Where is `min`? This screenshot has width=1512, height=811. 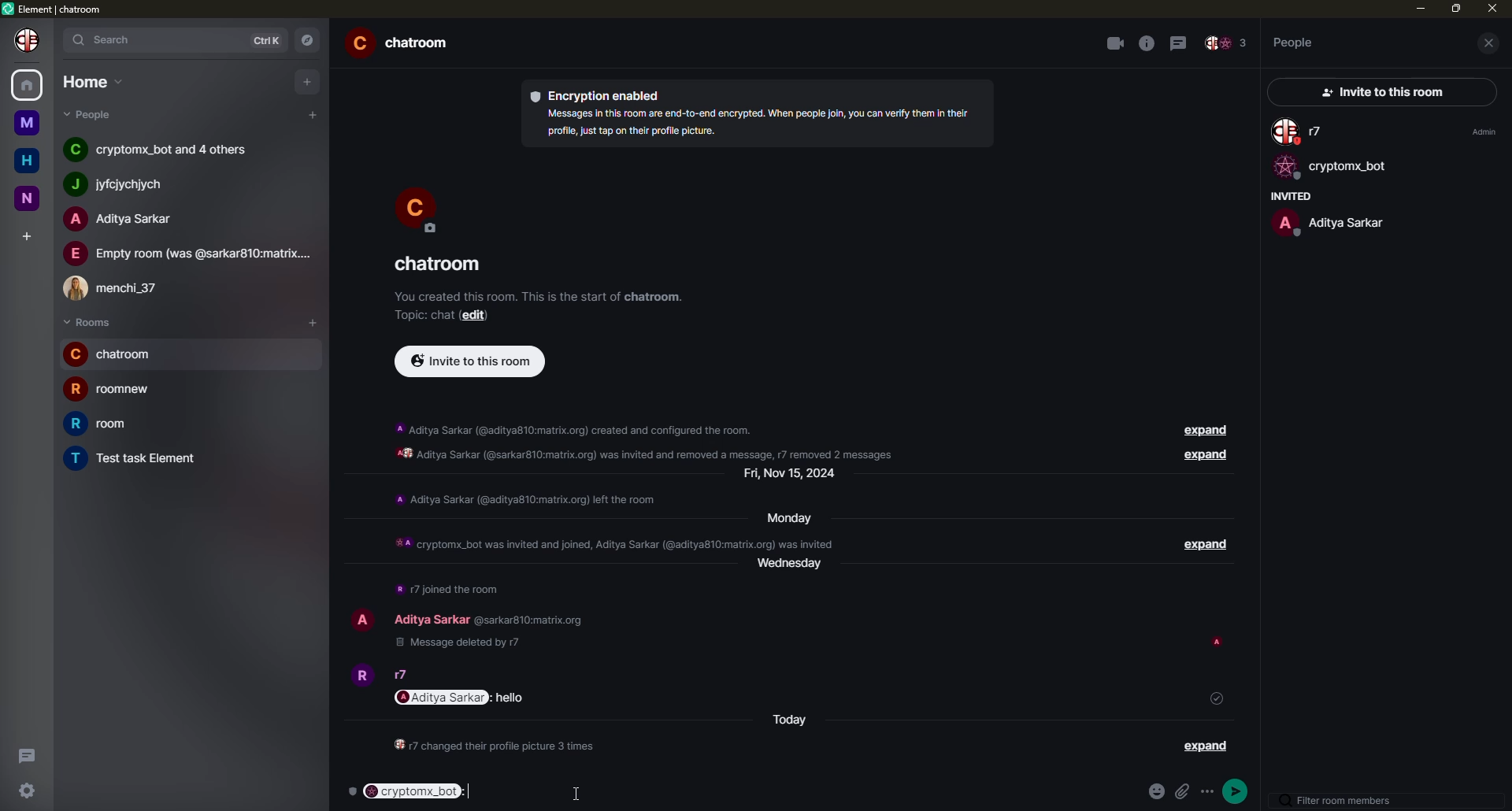
min is located at coordinates (1418, 8).